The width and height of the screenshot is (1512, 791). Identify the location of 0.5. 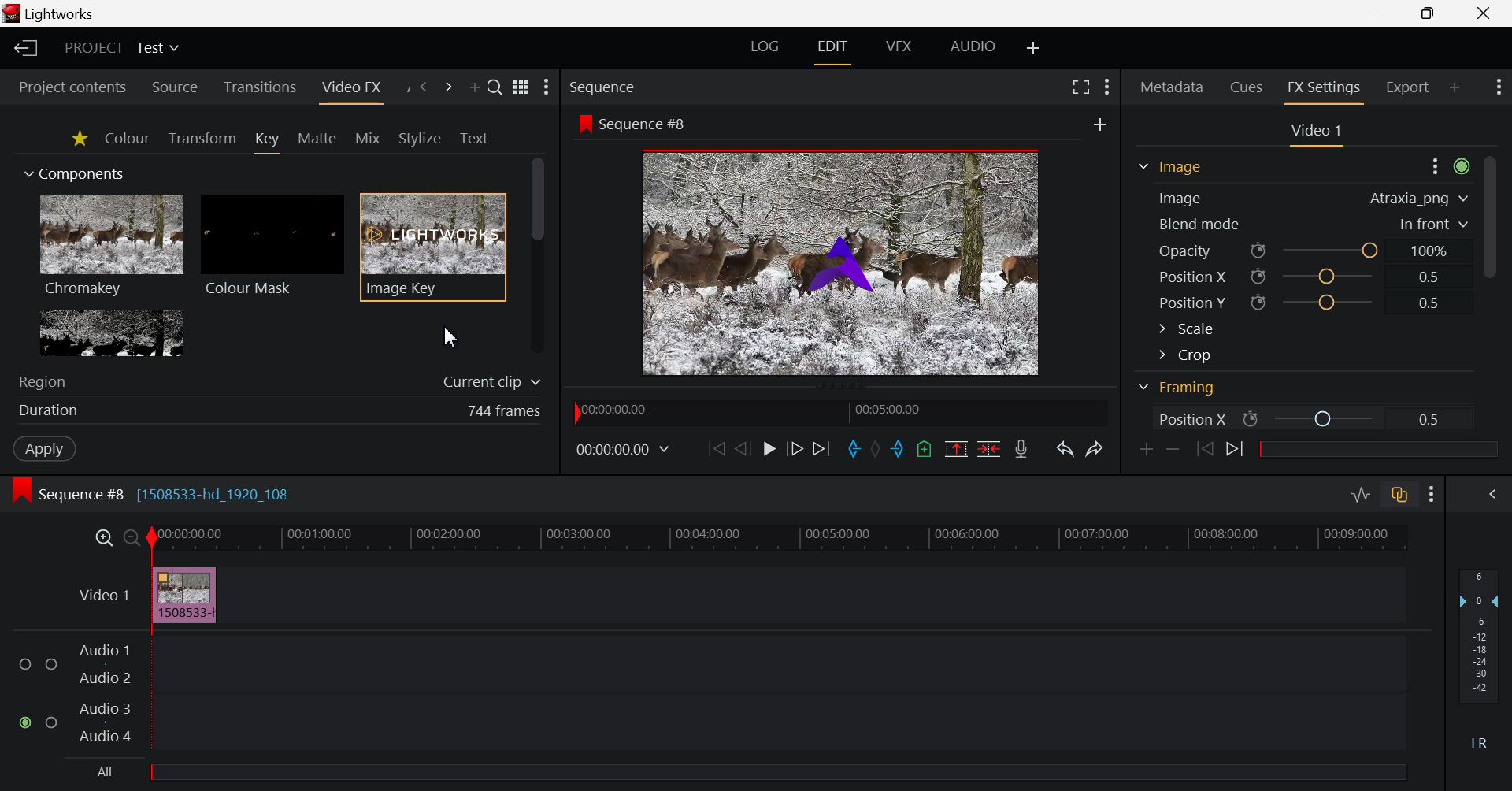
(1429, 276).